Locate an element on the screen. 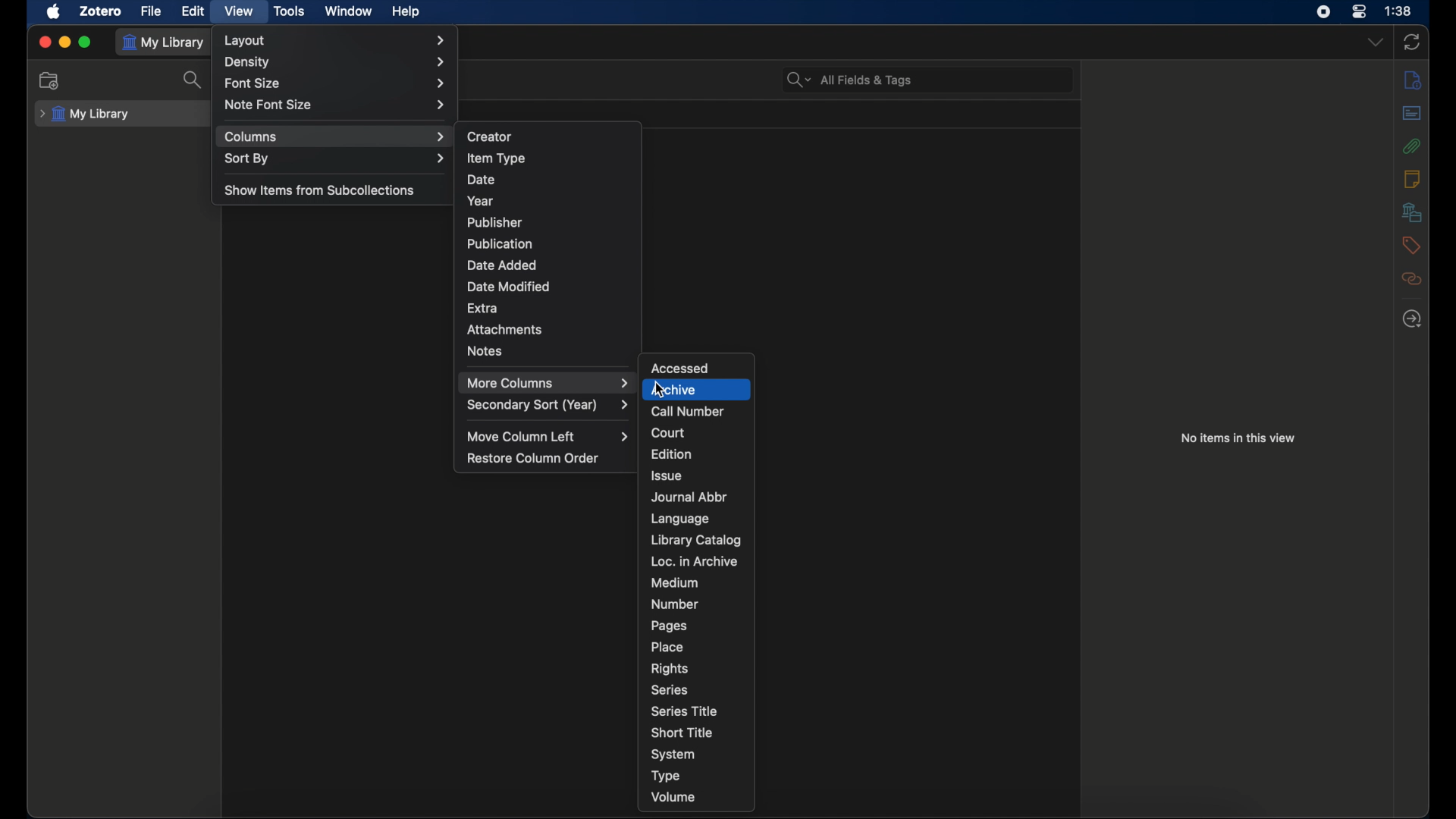 The width and height of the screenshot is (1456, 819). abstracts is located at coordinates (1411, 112).